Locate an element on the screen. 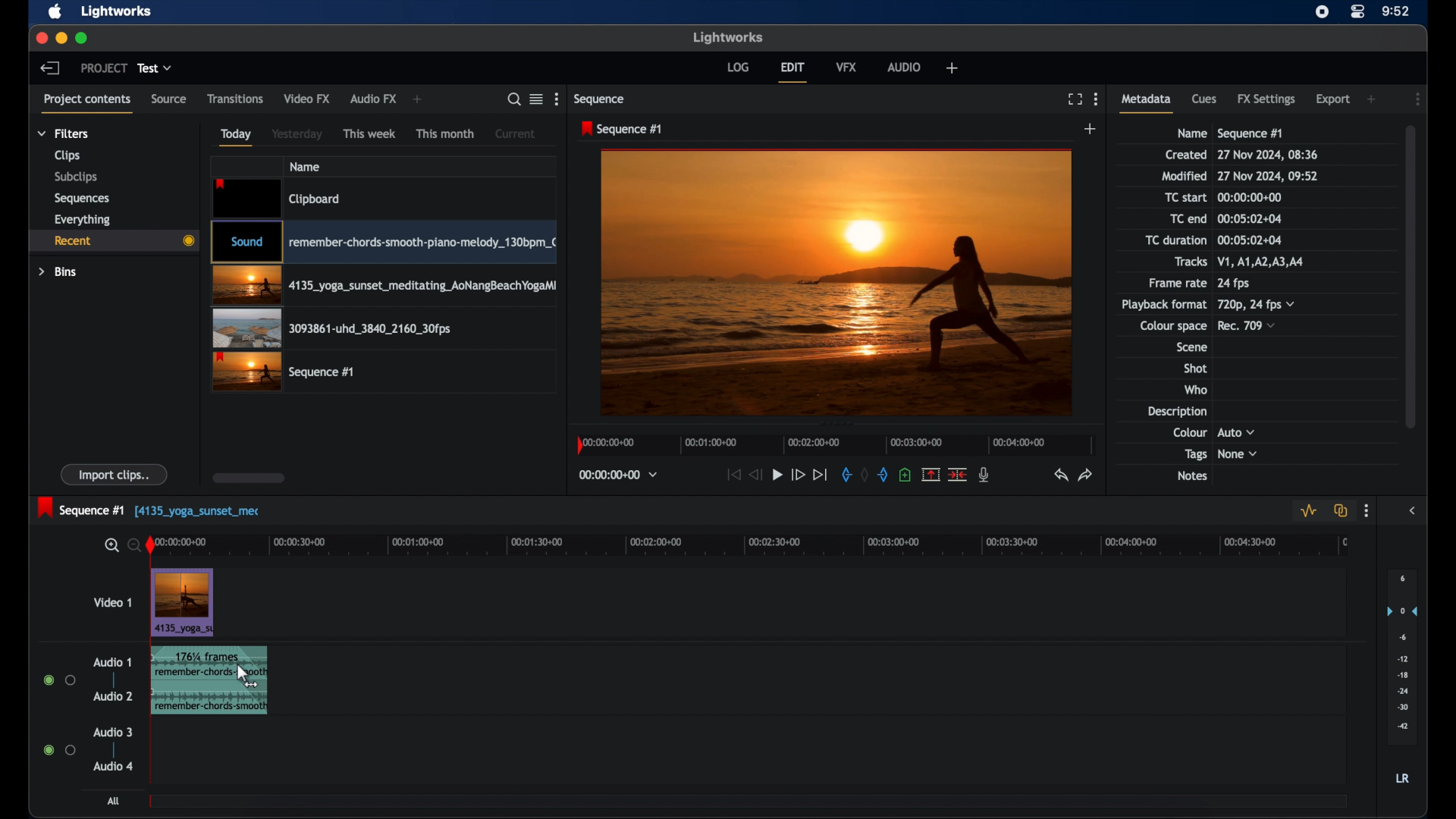  tc start is located at coordinates (1187, 196).